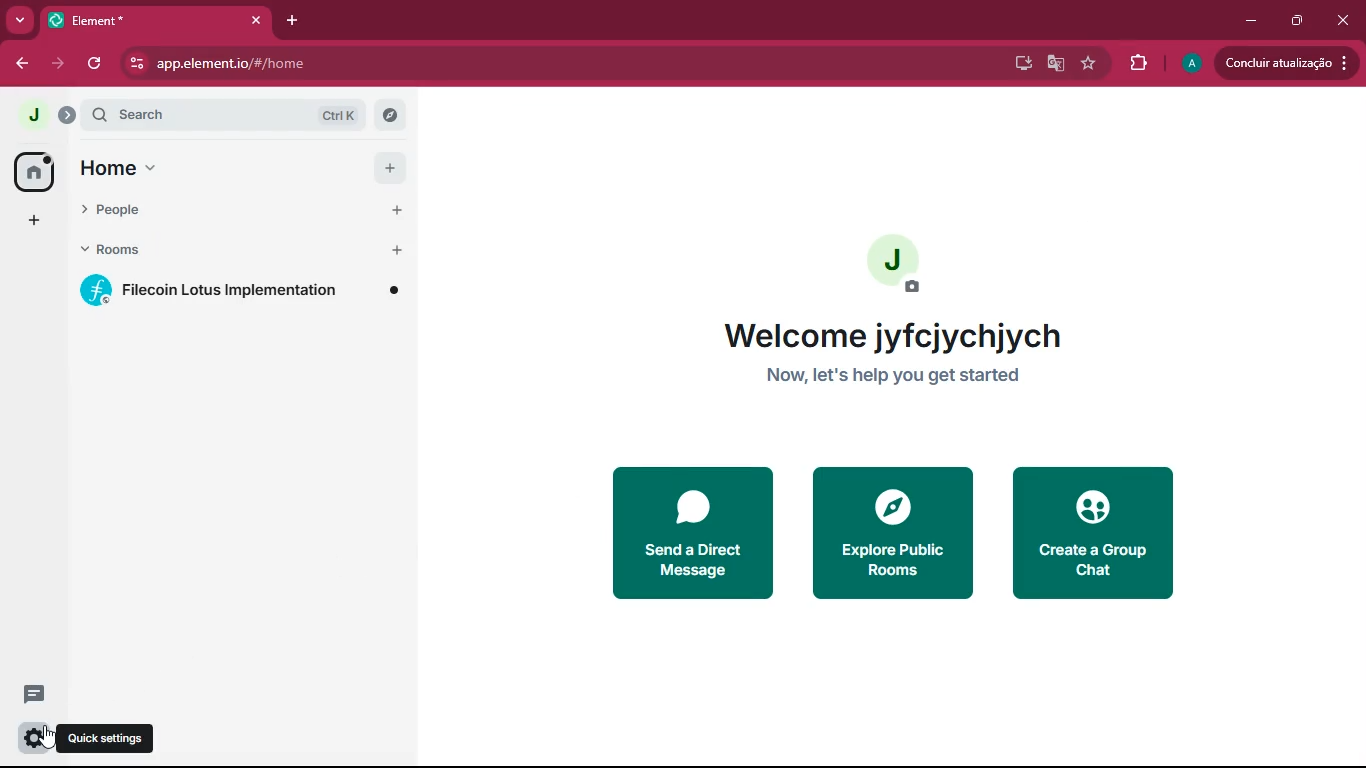  Describe the element at coordinates (1019, 63) in the screenshot. I see `desktop` at that location.